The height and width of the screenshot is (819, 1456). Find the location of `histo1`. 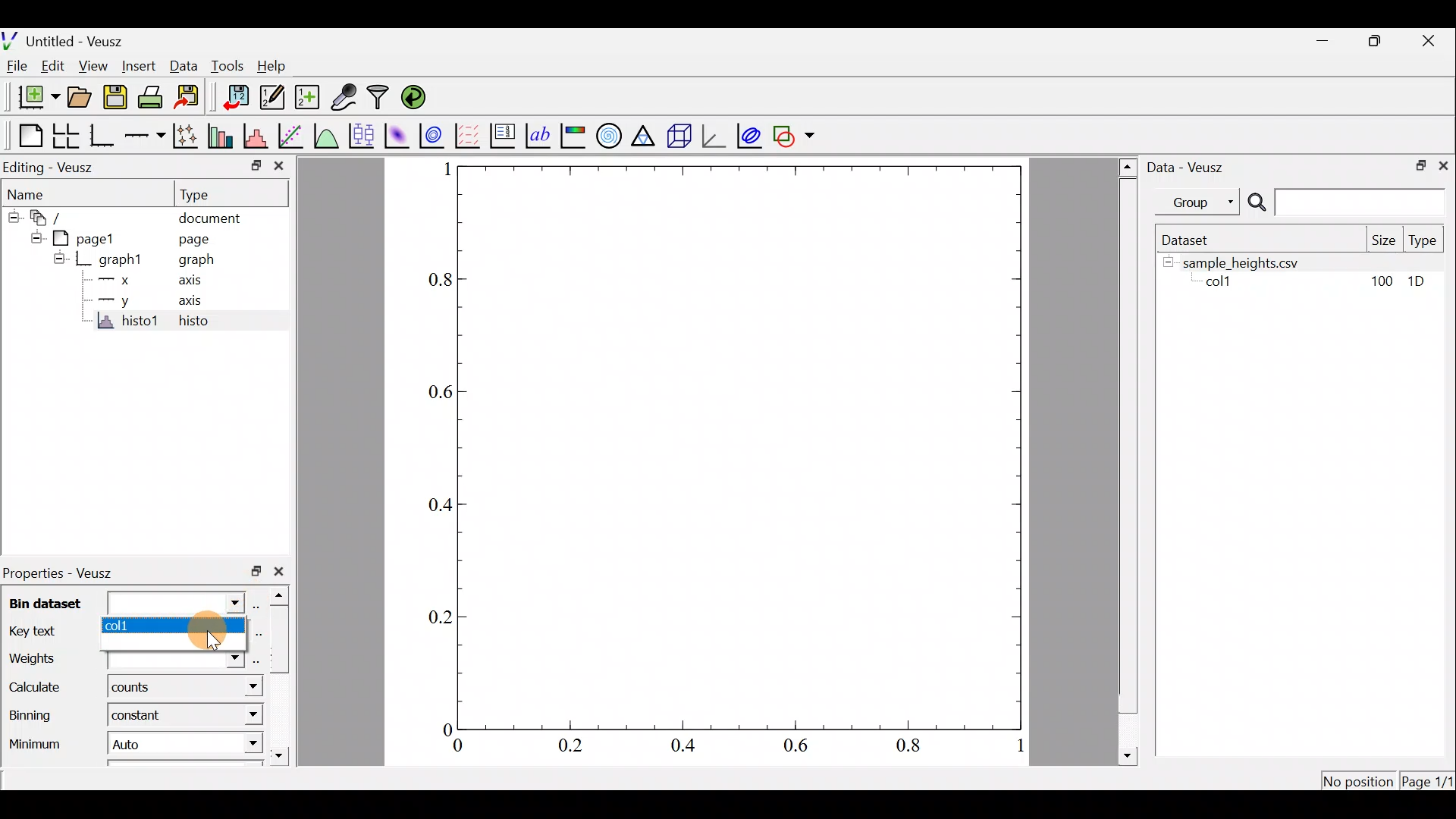

histo1 is located at coordinates (124, 323).